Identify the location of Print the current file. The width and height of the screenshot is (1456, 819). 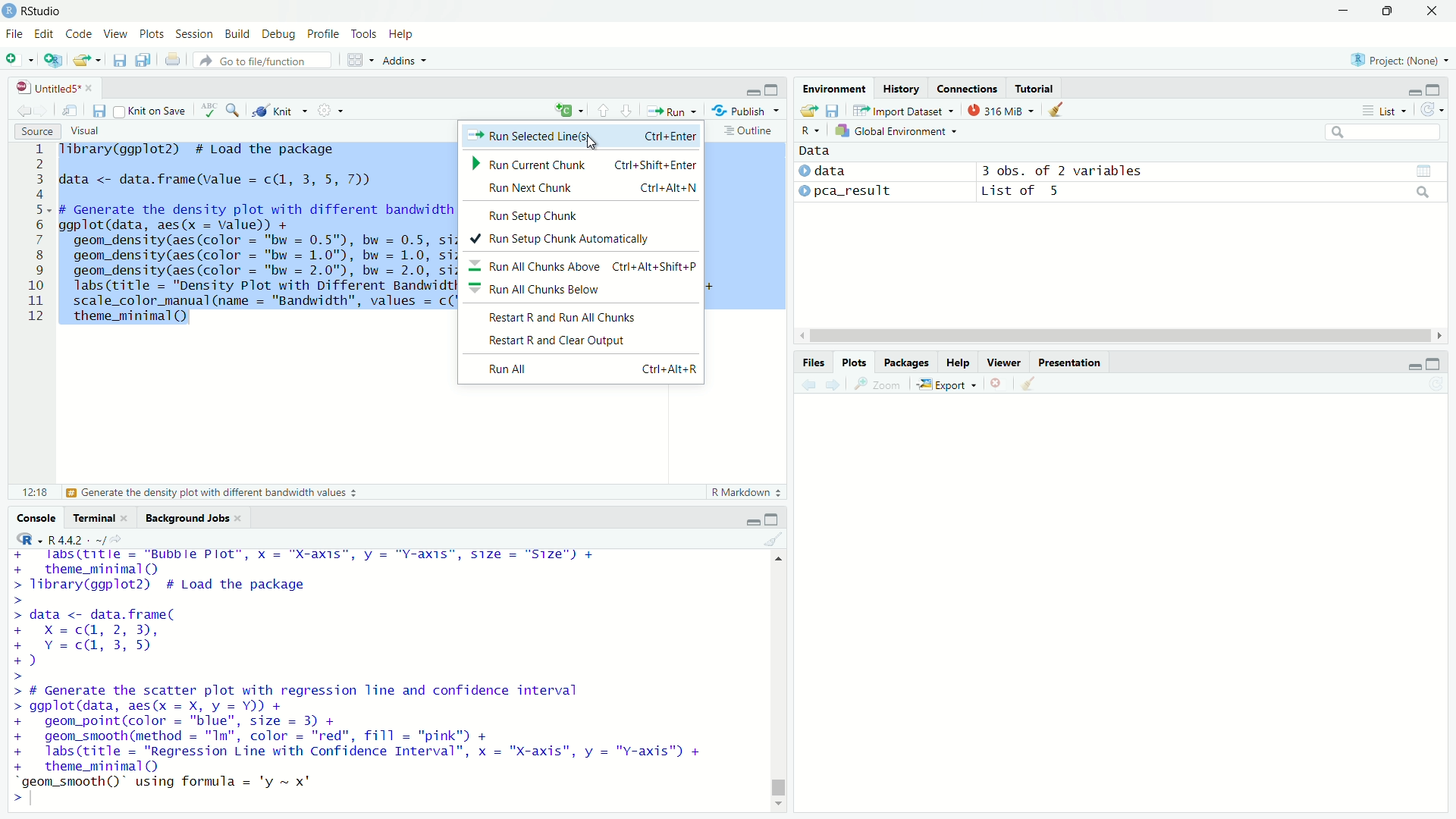
(174, 59).